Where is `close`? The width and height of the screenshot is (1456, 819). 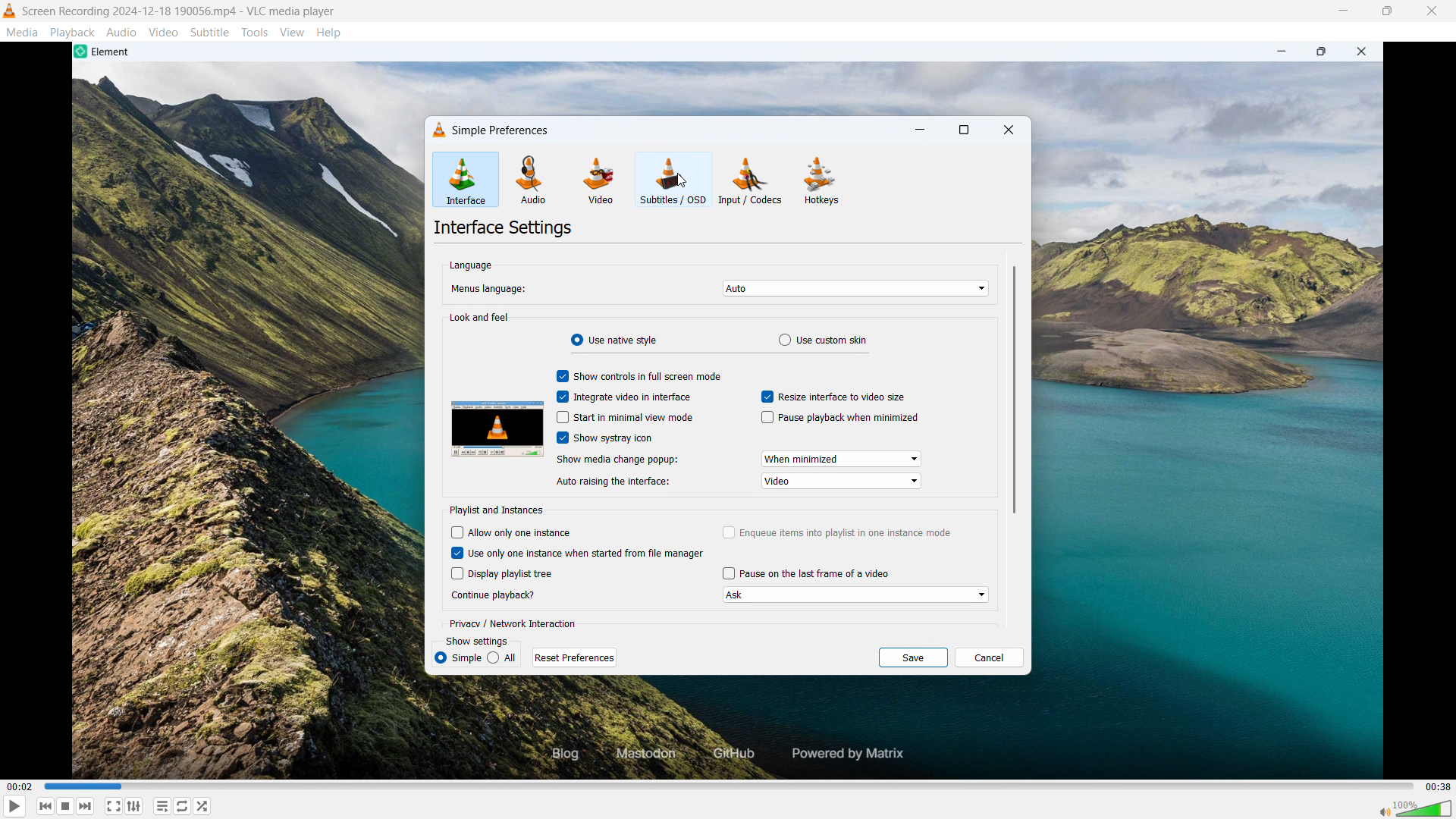
close is located at coordinates (1432, 11).